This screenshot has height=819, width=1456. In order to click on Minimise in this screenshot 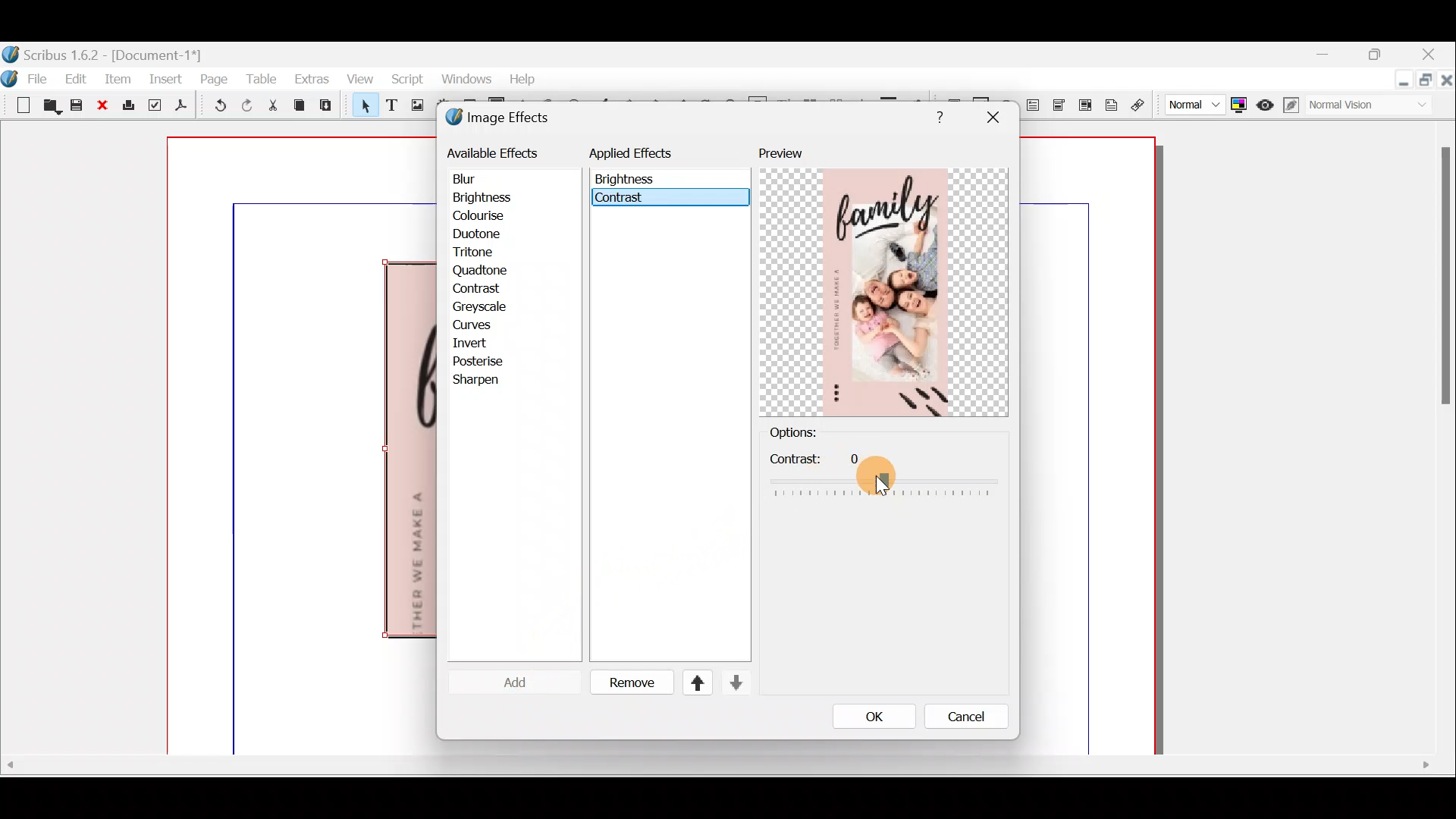, I will do `click(1402, 81)`.